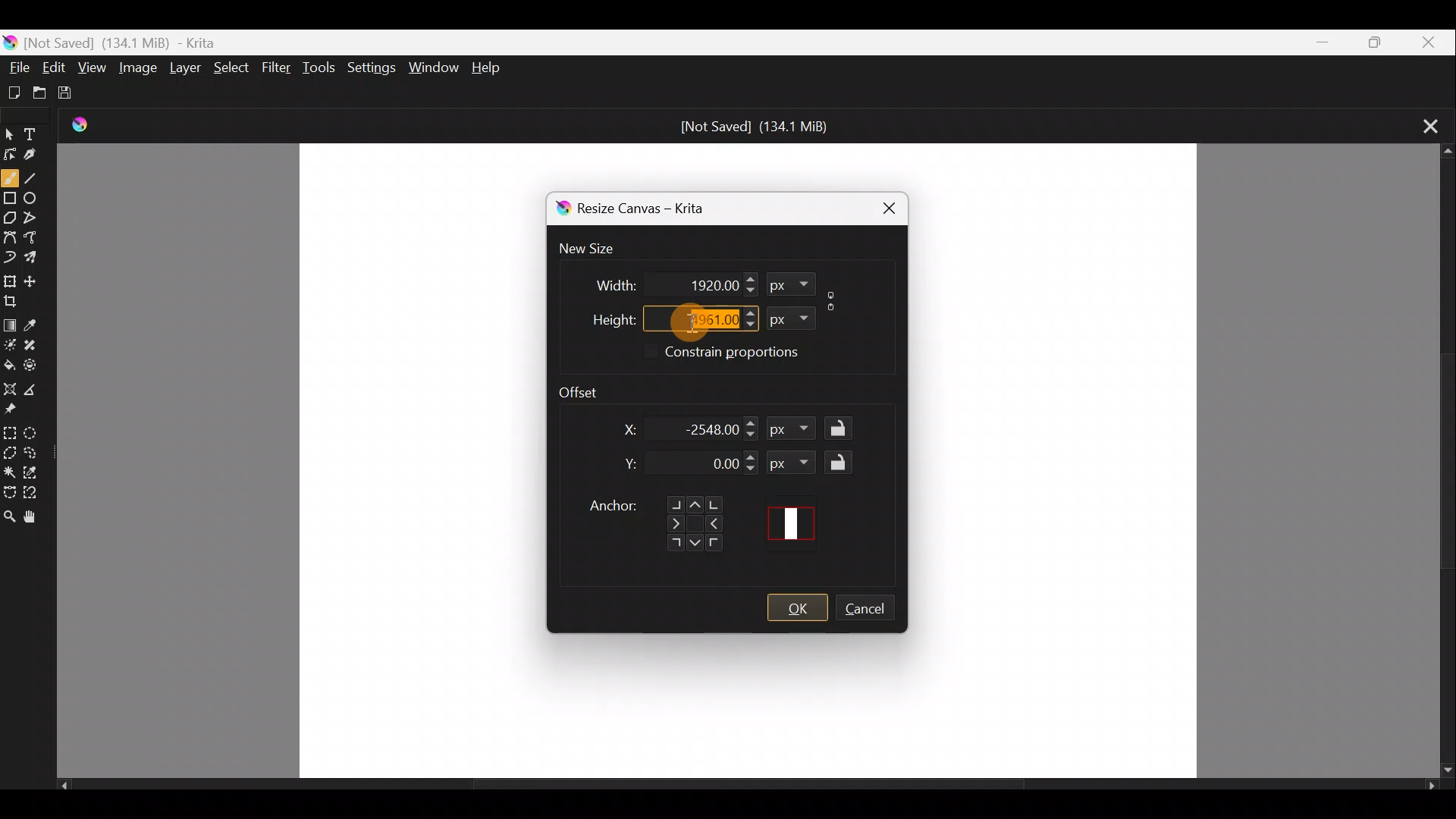  What do you see at coordinates (790, 284) in the screenshot?
I see `Format` at bounding box center [790, 284].